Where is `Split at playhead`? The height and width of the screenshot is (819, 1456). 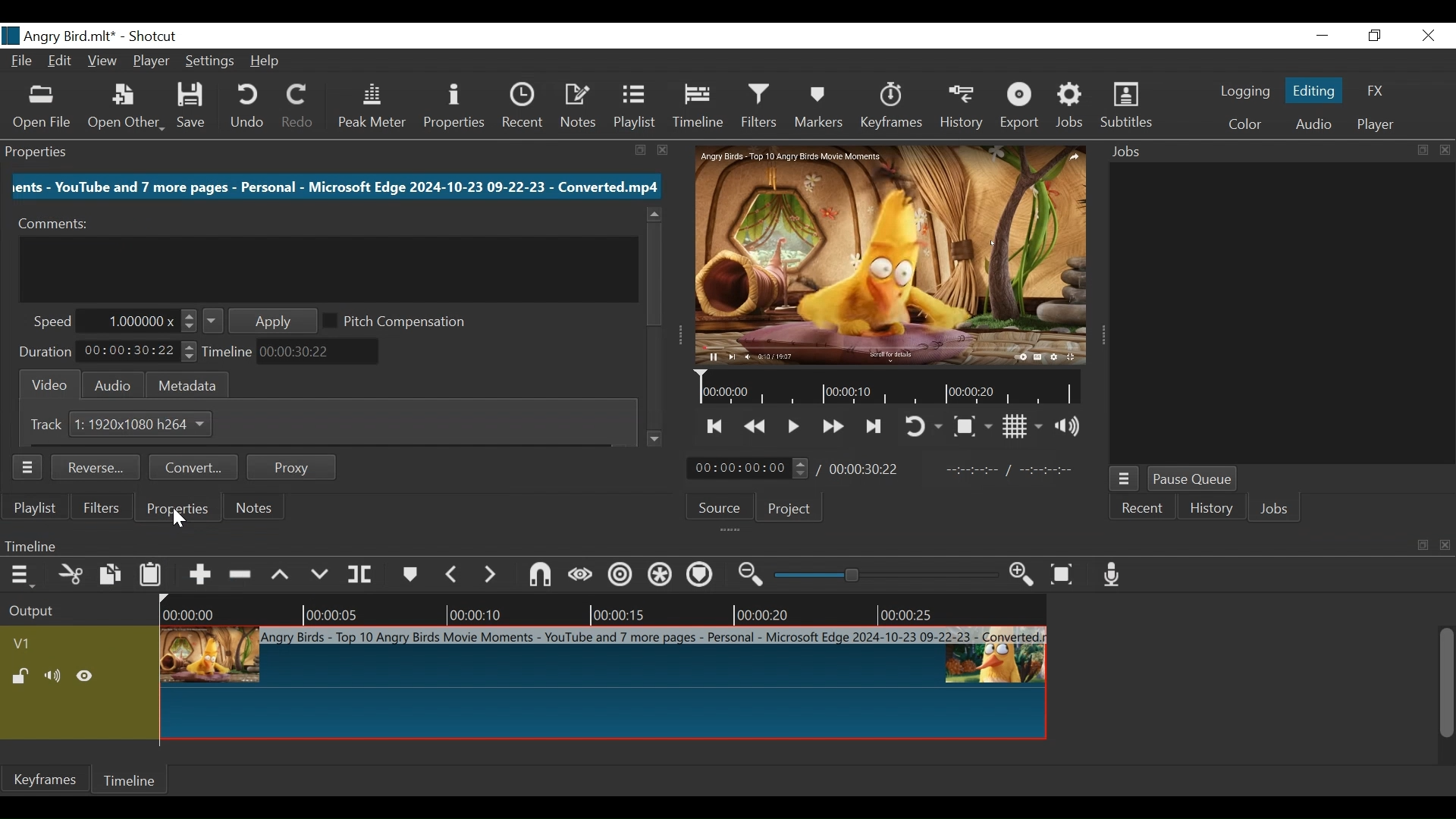
Split at playhead is located at coordinates (362, 576).